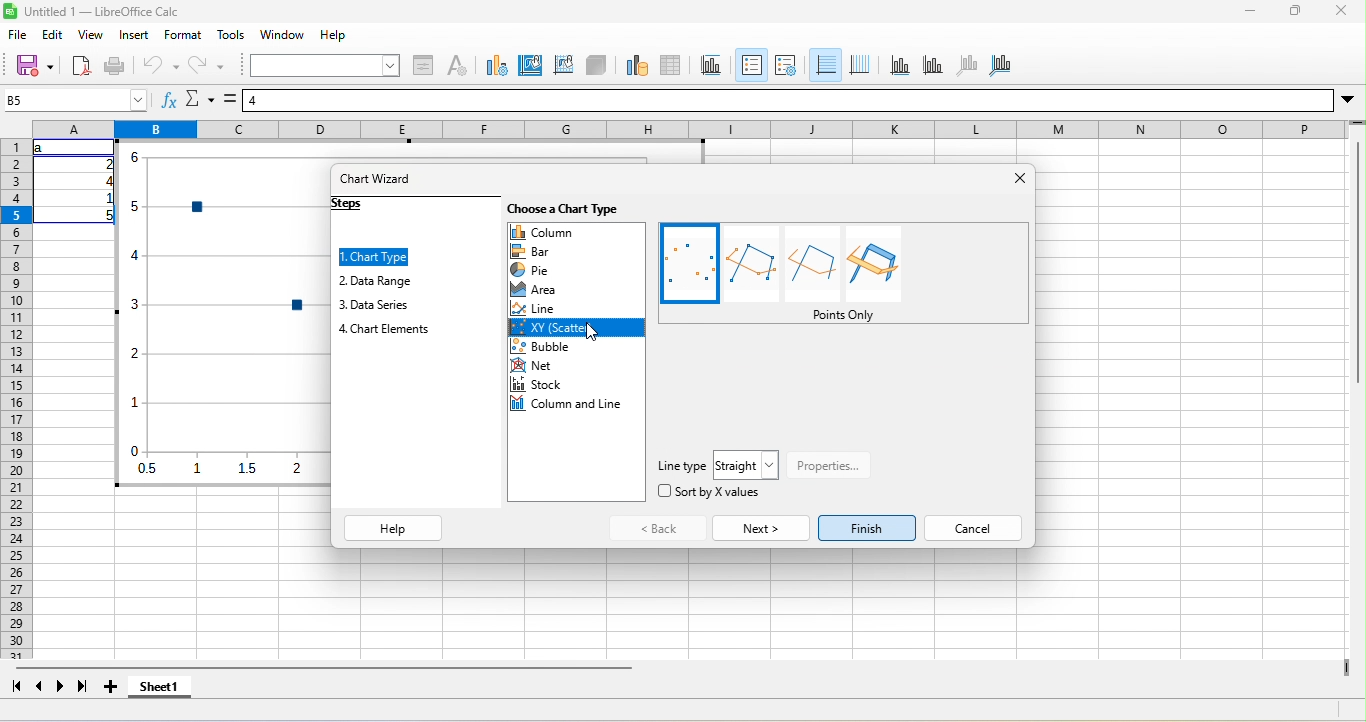 This screenshot has width=1366, height=722. What do you see at coordinates (591, 332) in the screenshot?
I see `cursor` at bounding box center [591, 332].